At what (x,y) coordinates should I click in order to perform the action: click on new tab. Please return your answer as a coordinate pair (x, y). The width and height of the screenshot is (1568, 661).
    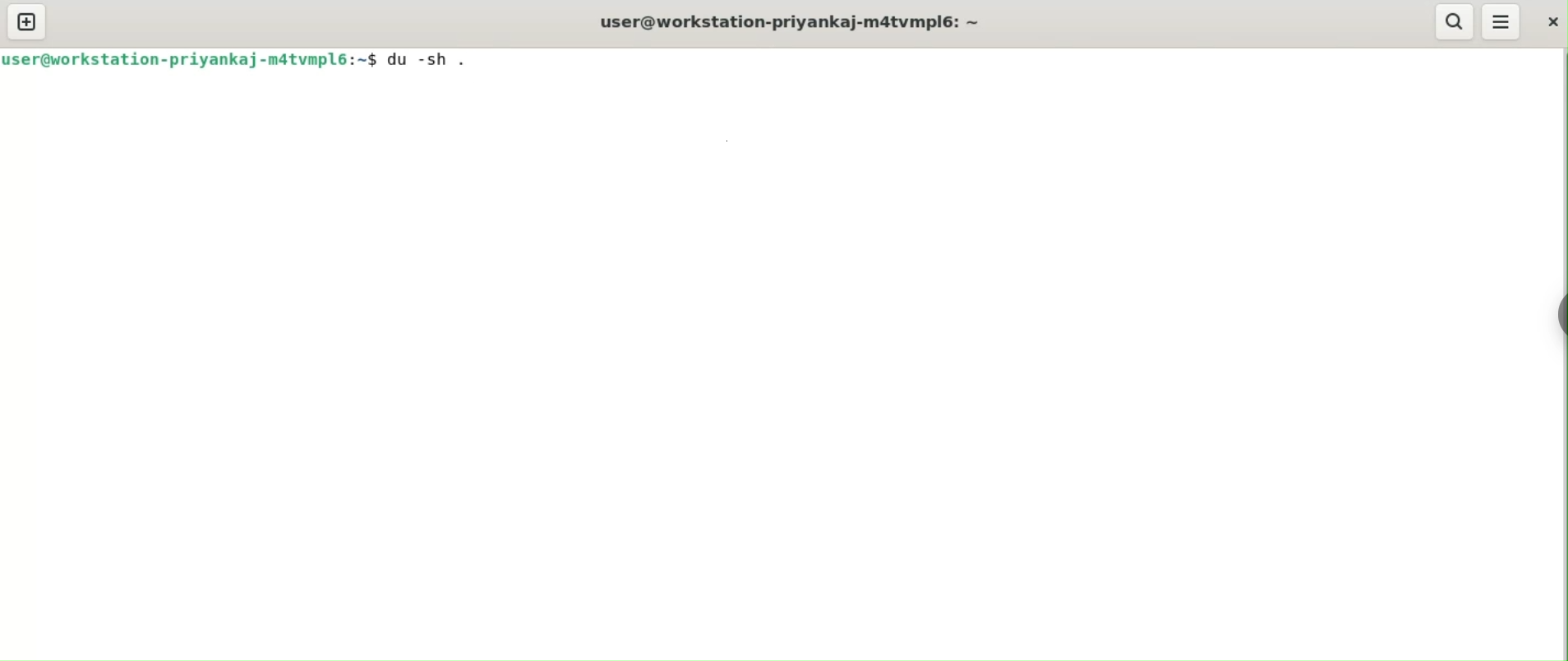
    Looking at the image, I should click on (26, 21).